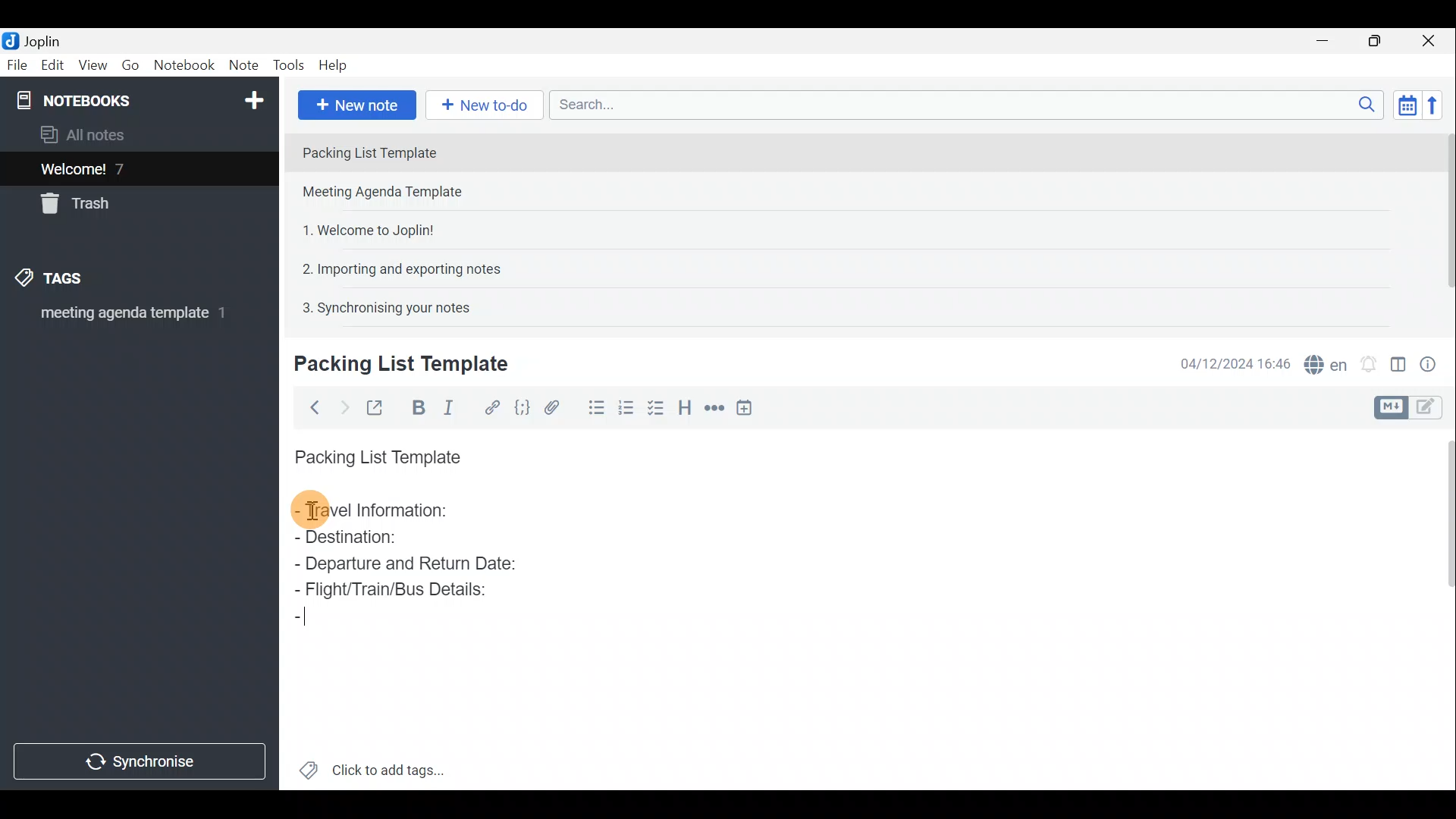 Image resolution: width=1456 pixels, height=819 pixels. What do you see at coordinates (1433, 362) in the screenshot?
I see `Note properties` at bounding box center [1433, 362].